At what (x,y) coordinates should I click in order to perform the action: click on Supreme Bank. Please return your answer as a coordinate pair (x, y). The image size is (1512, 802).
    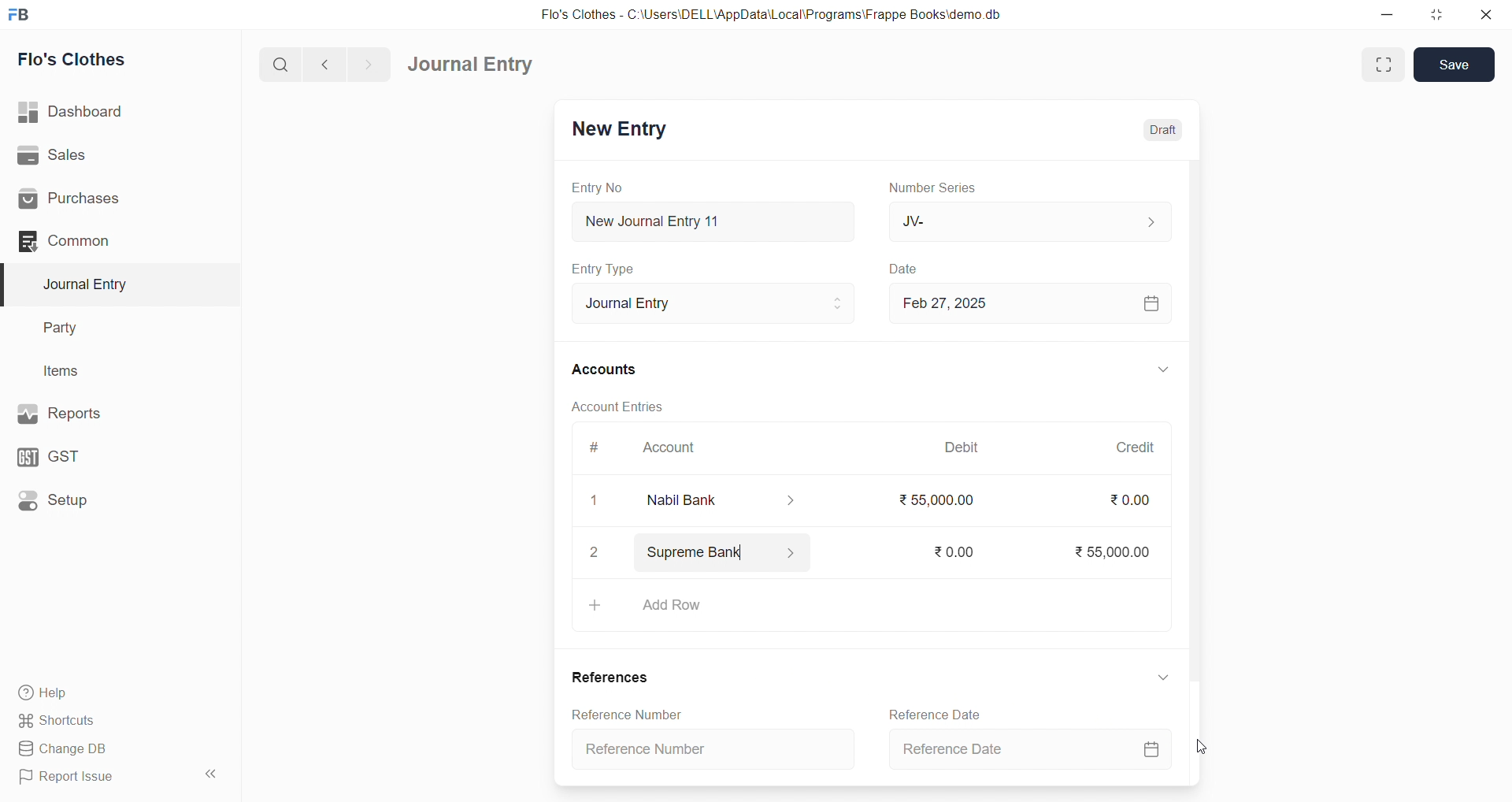
    Looking at the image, I should click on (724, 555).